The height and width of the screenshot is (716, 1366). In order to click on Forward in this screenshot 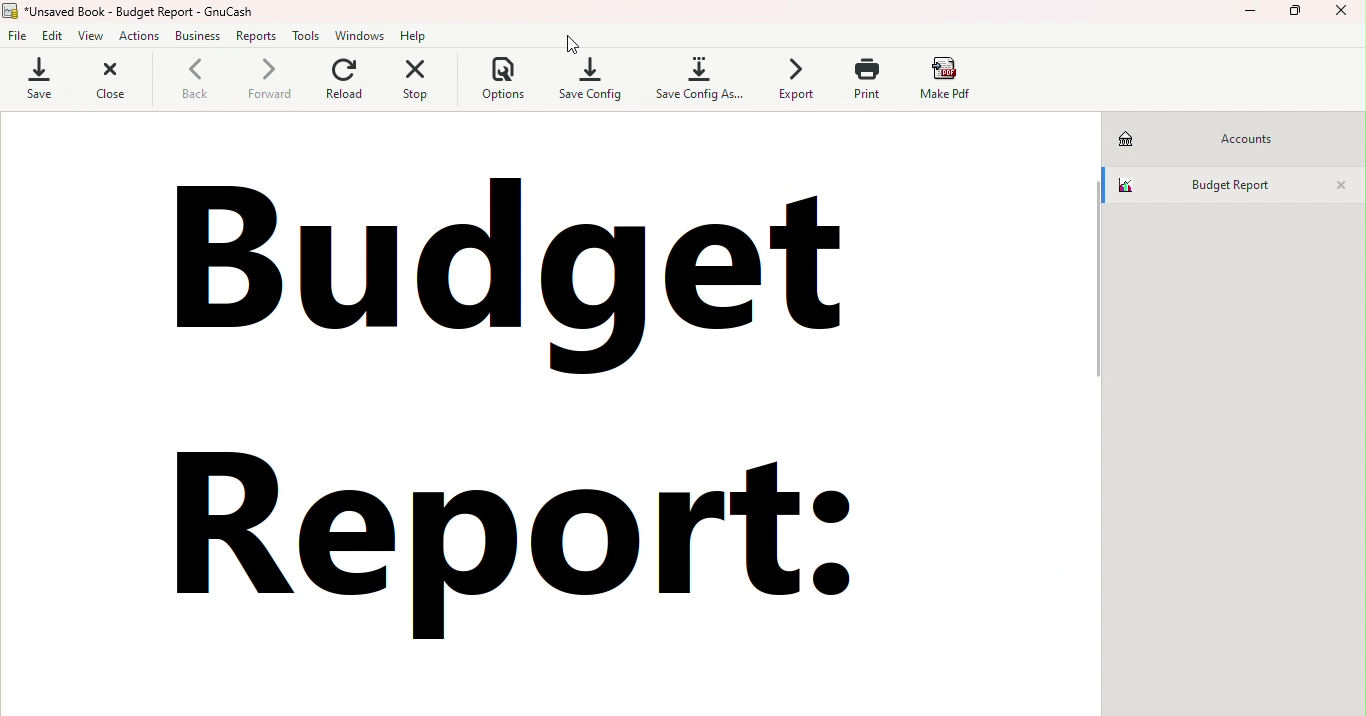, I will do `click(270, 86)`.